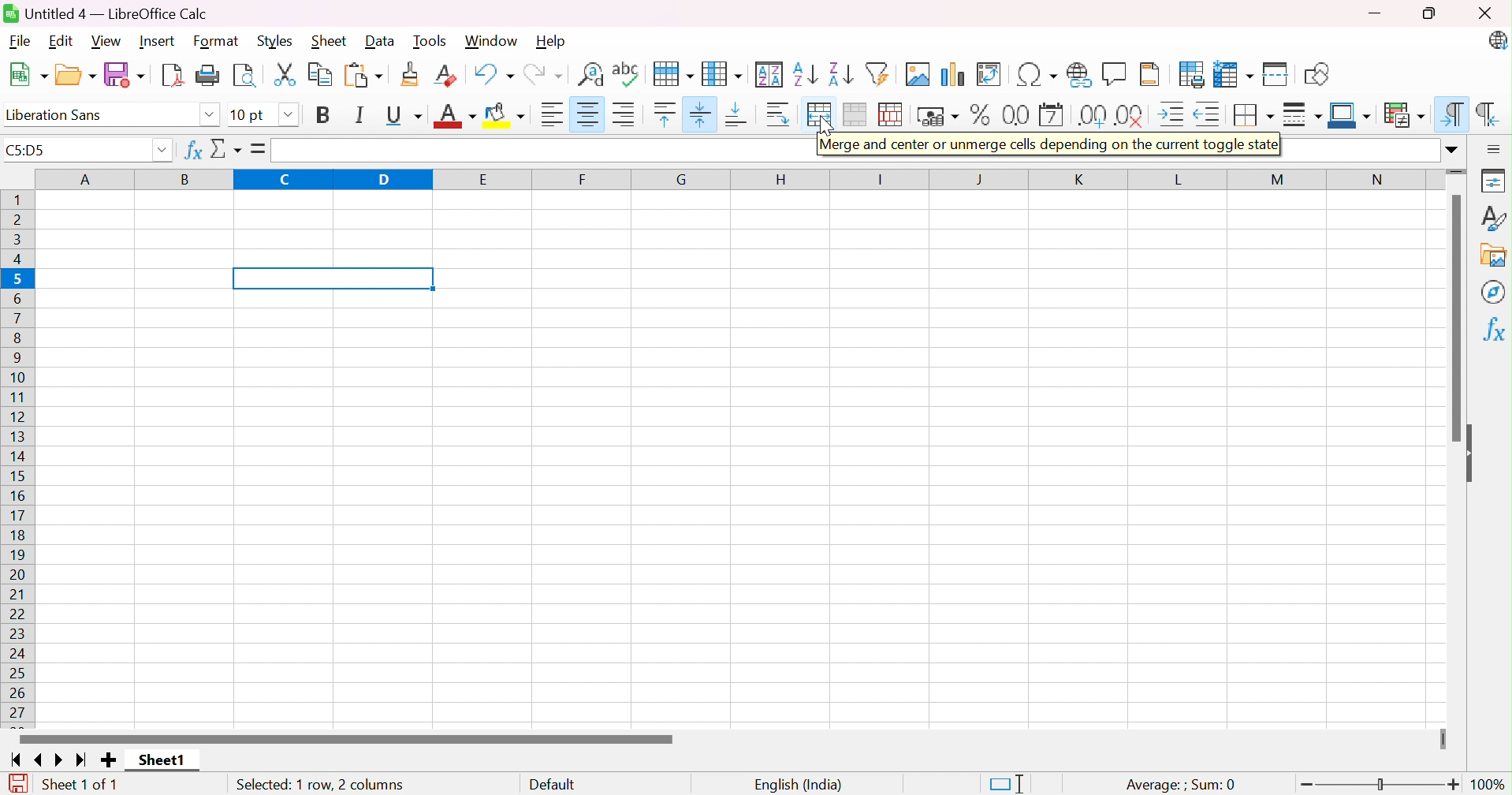 The image size is (1512, 795). I want to click on Borders, so click(1254, 114).